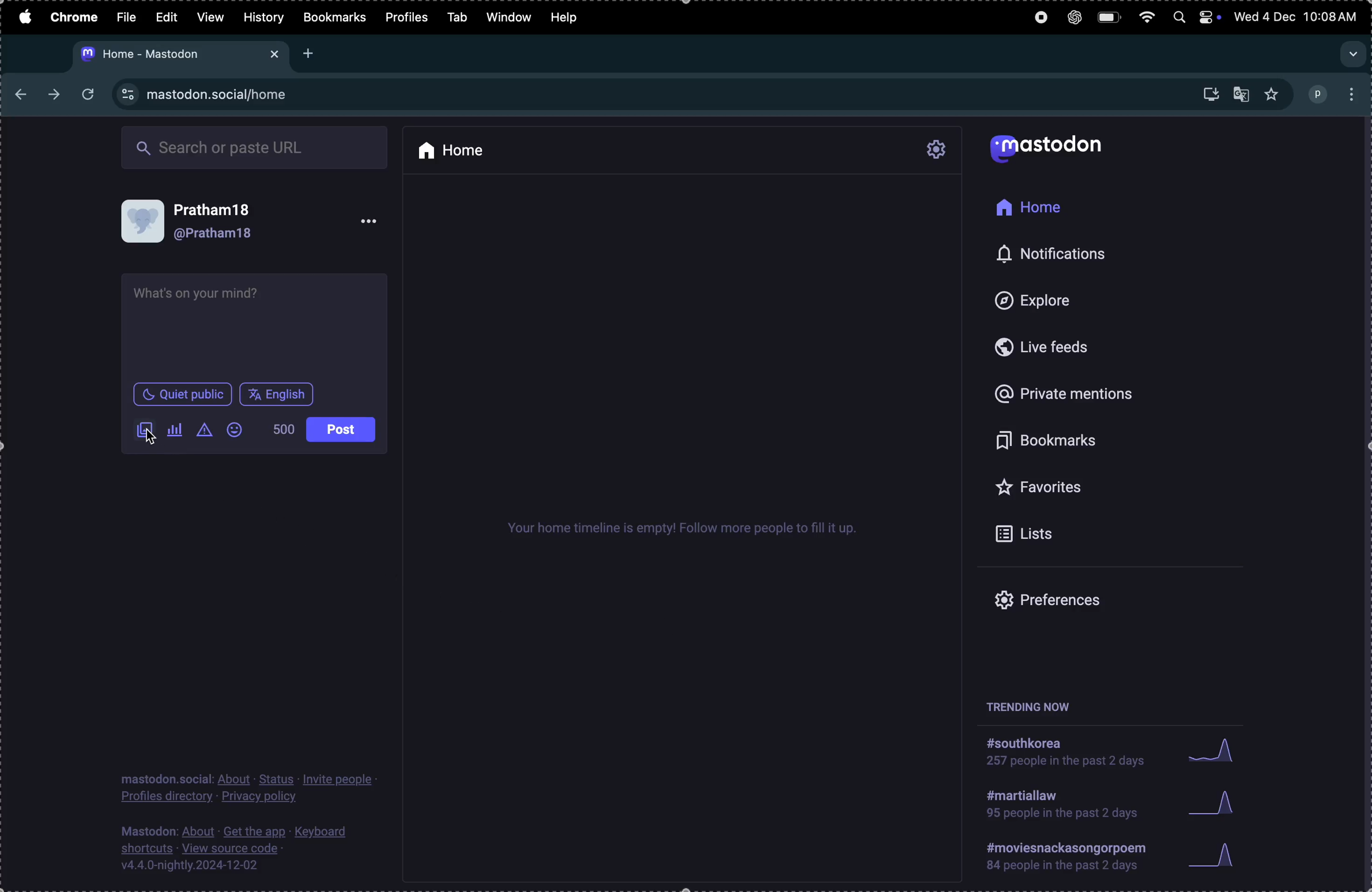 Image resolution: width=1372 pixels, height=892 pixels. What do you see at coordinates (1026, 532) in the screenshot?
I see `lists` at bounding box center [1026, 532].